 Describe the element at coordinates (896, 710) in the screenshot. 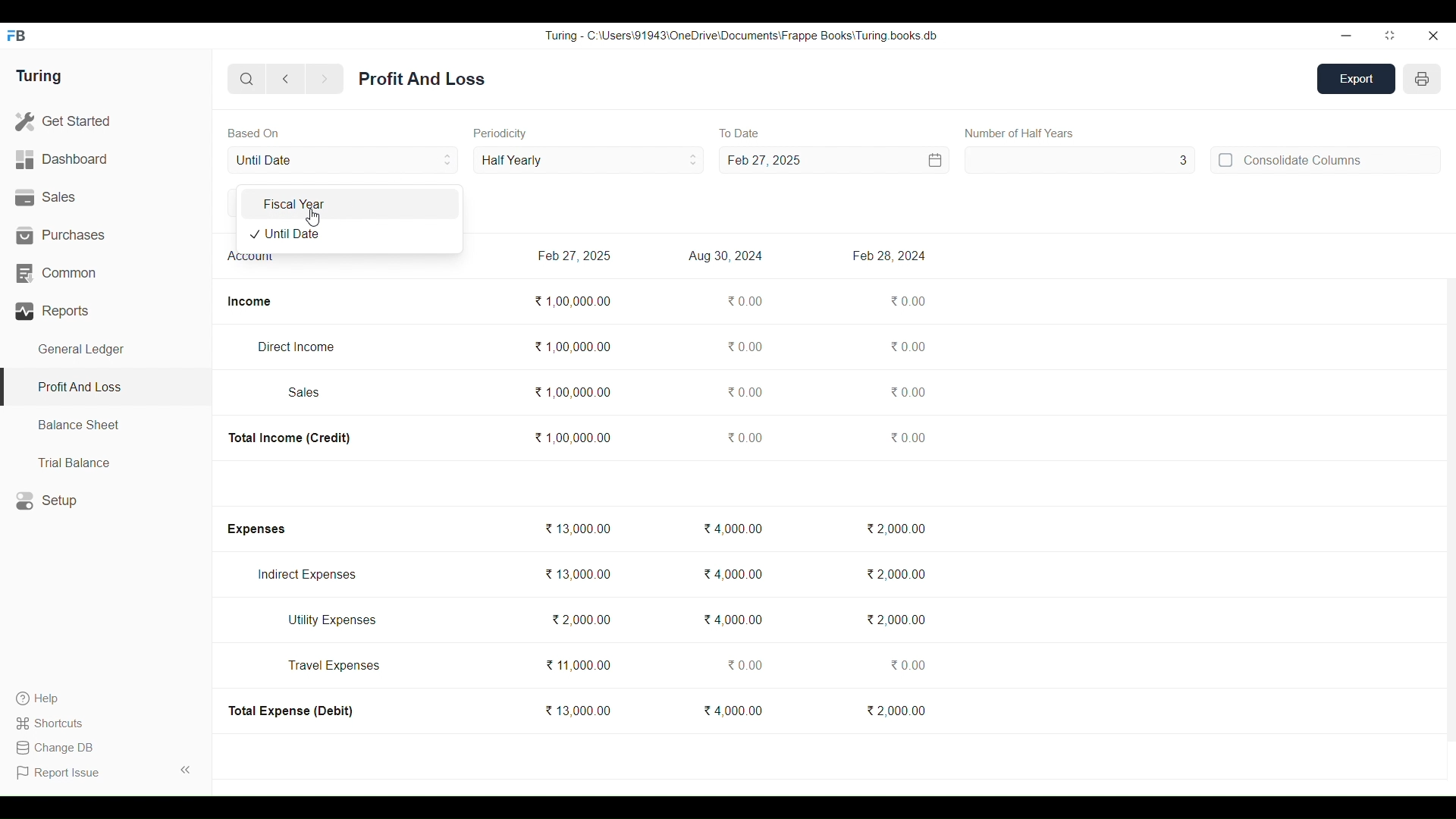

I see `2,000.00` at that location.